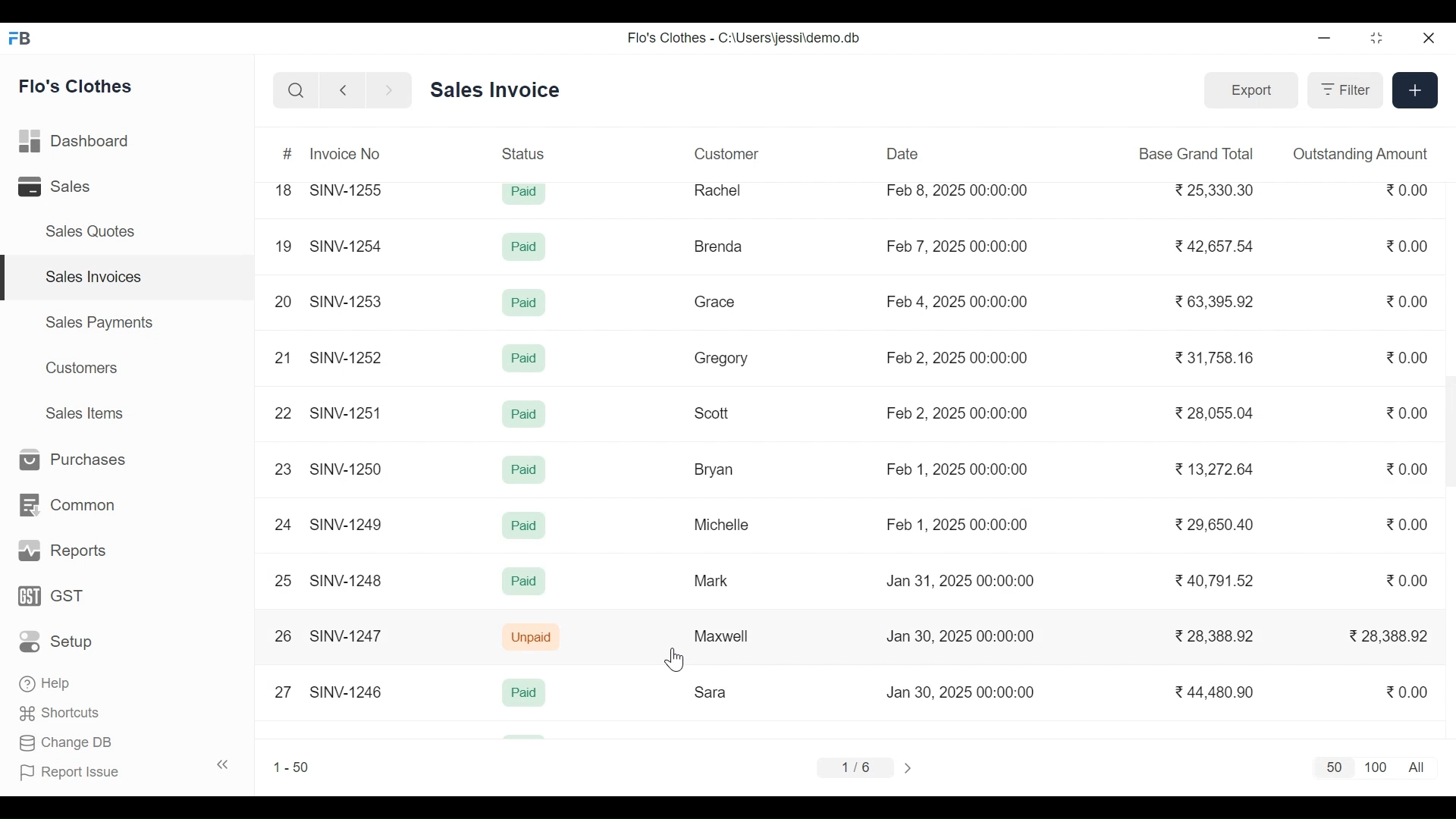  What do you see at coordinates (67, 745) in the screenshot?
I see `Change DB` at bounding box center [67, 745].